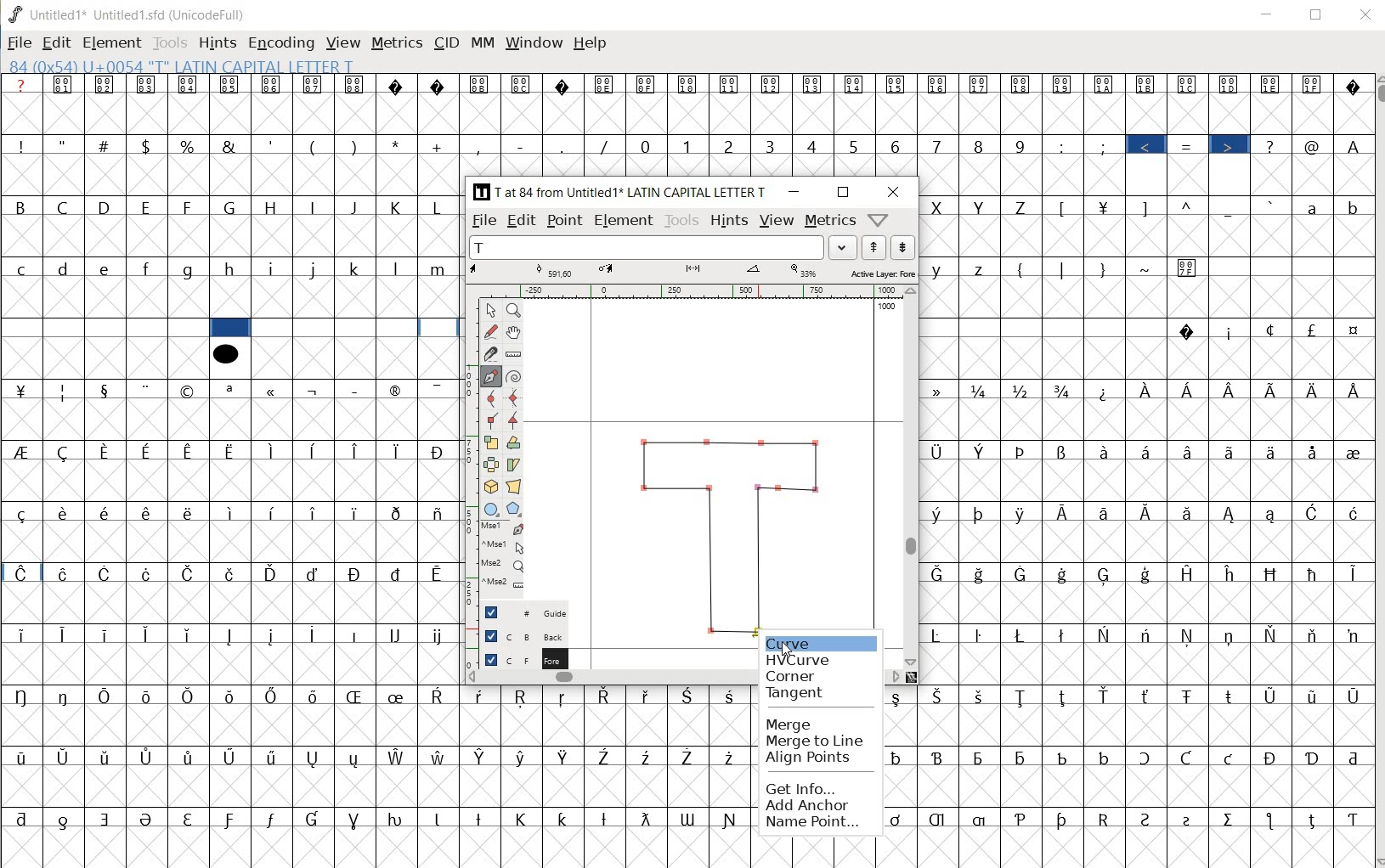  What do you see at coordinates (1064, 208) in the screenshot?
I see `[` at bounding box center [1064, 208].